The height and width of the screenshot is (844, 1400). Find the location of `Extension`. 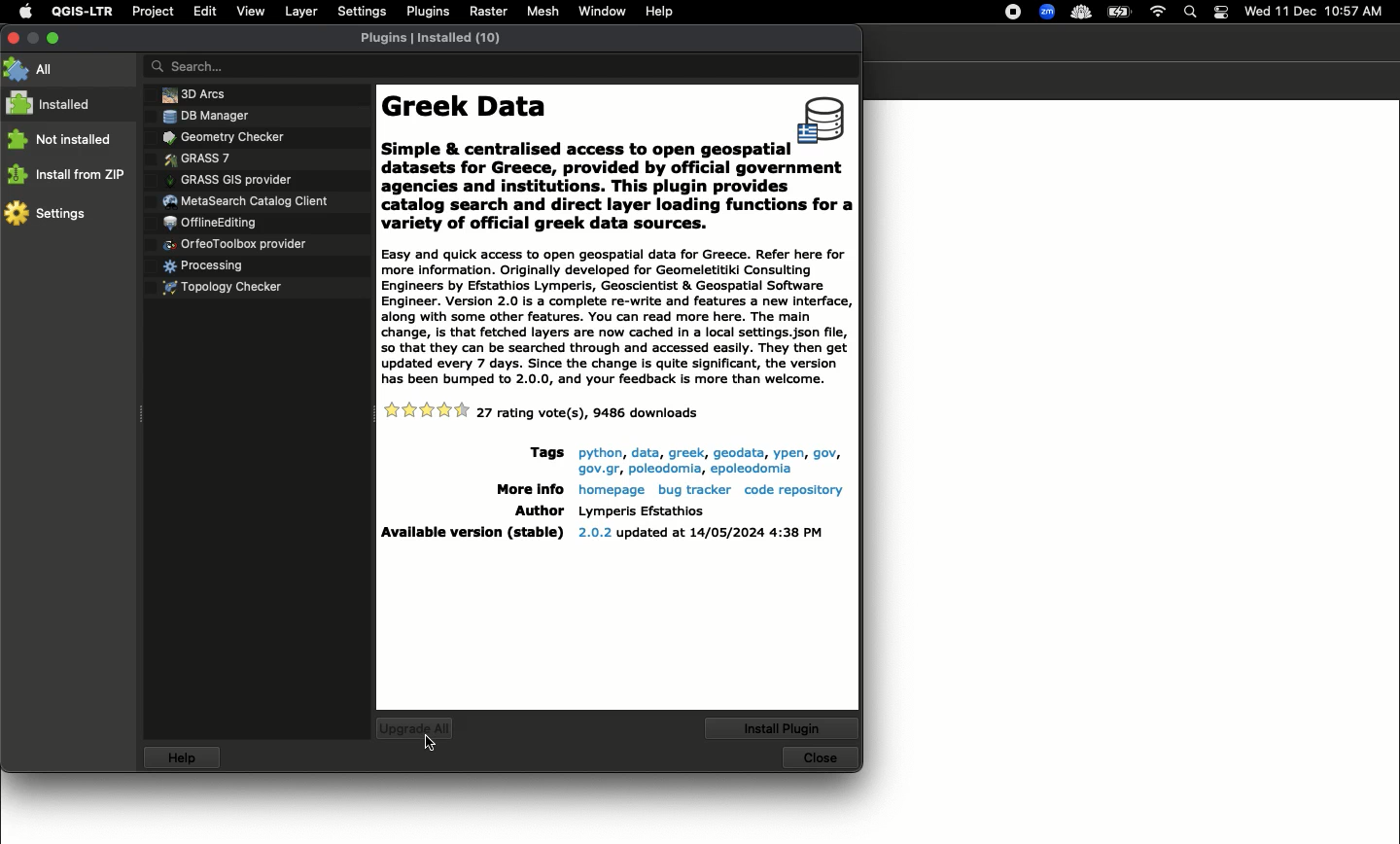

Extension is located at coordinates (1015, 13).